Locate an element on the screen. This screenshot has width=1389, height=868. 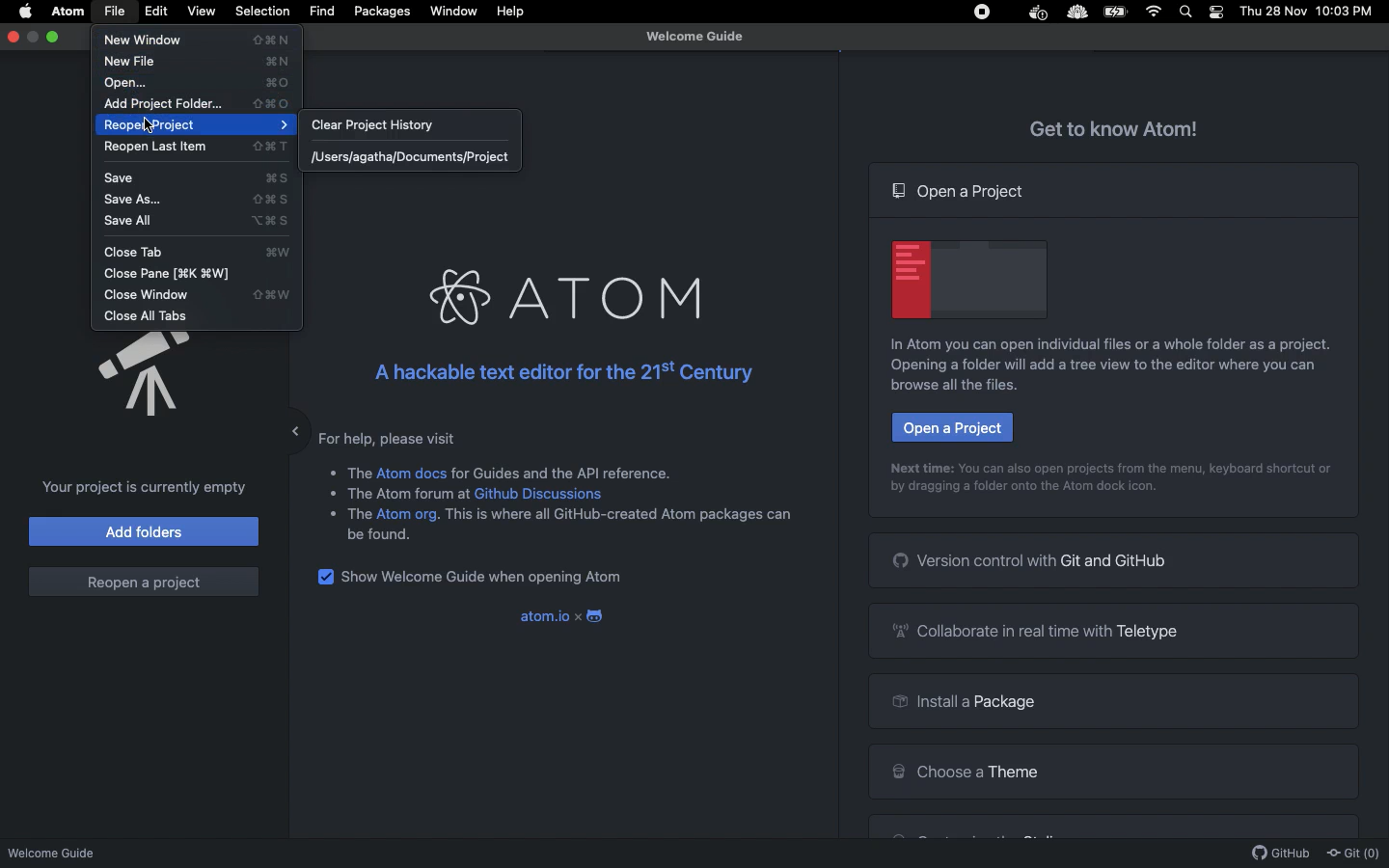
Open a project is located at coordinates (951, 427).